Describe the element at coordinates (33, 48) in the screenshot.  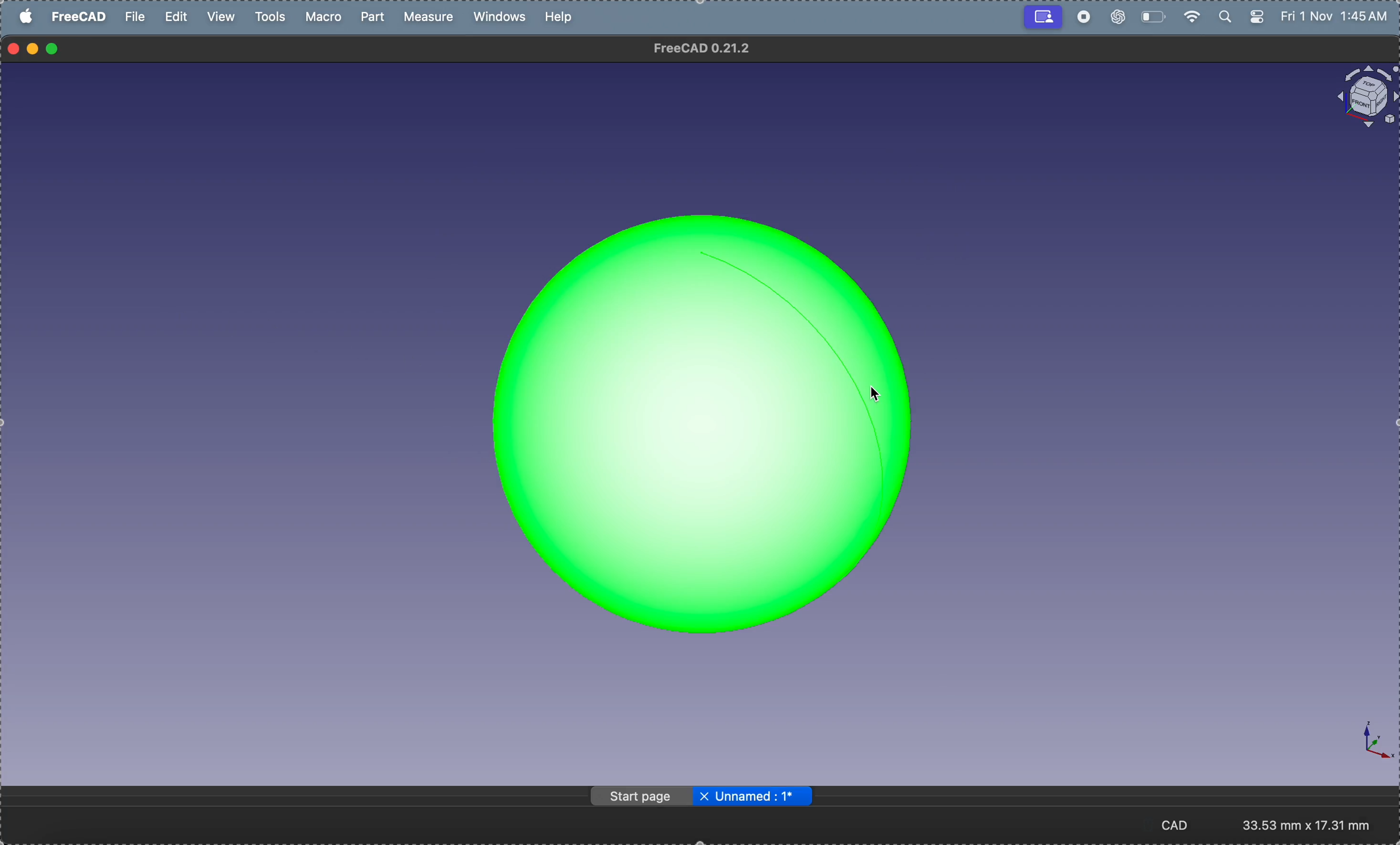
I see `minimize` at that location.